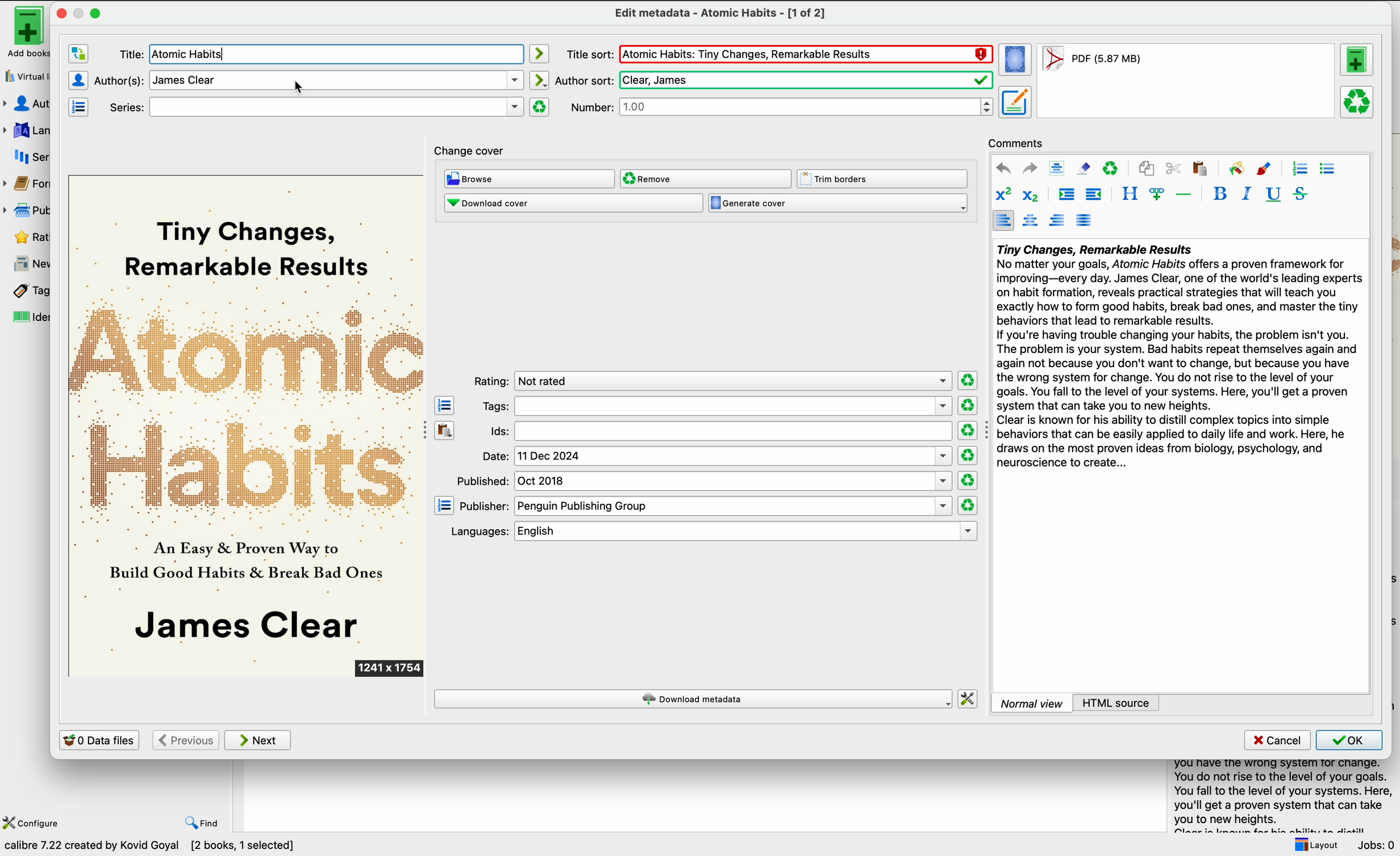 The image size is (1400, 856). What do you see at coordinates (1377, 845) in the screenshot?
I see `jobs: 0` at bounding box center [1377, 845].